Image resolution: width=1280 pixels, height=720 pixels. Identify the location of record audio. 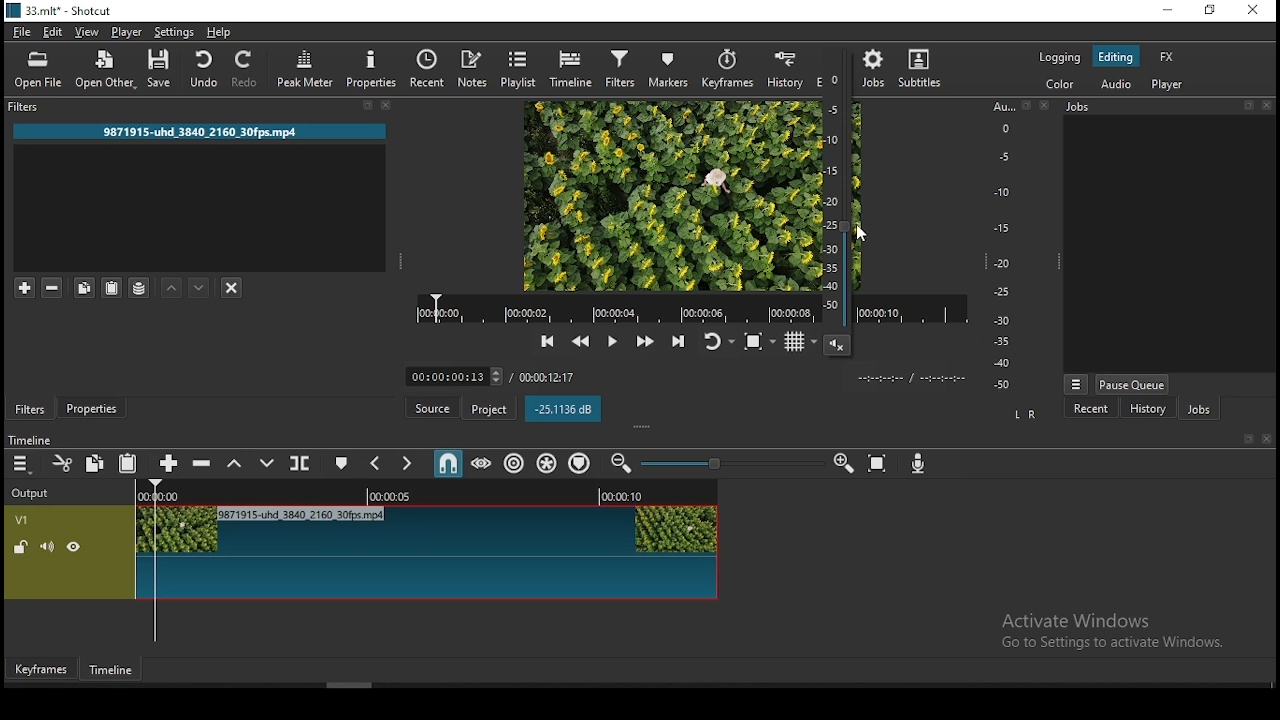
(915, 465).